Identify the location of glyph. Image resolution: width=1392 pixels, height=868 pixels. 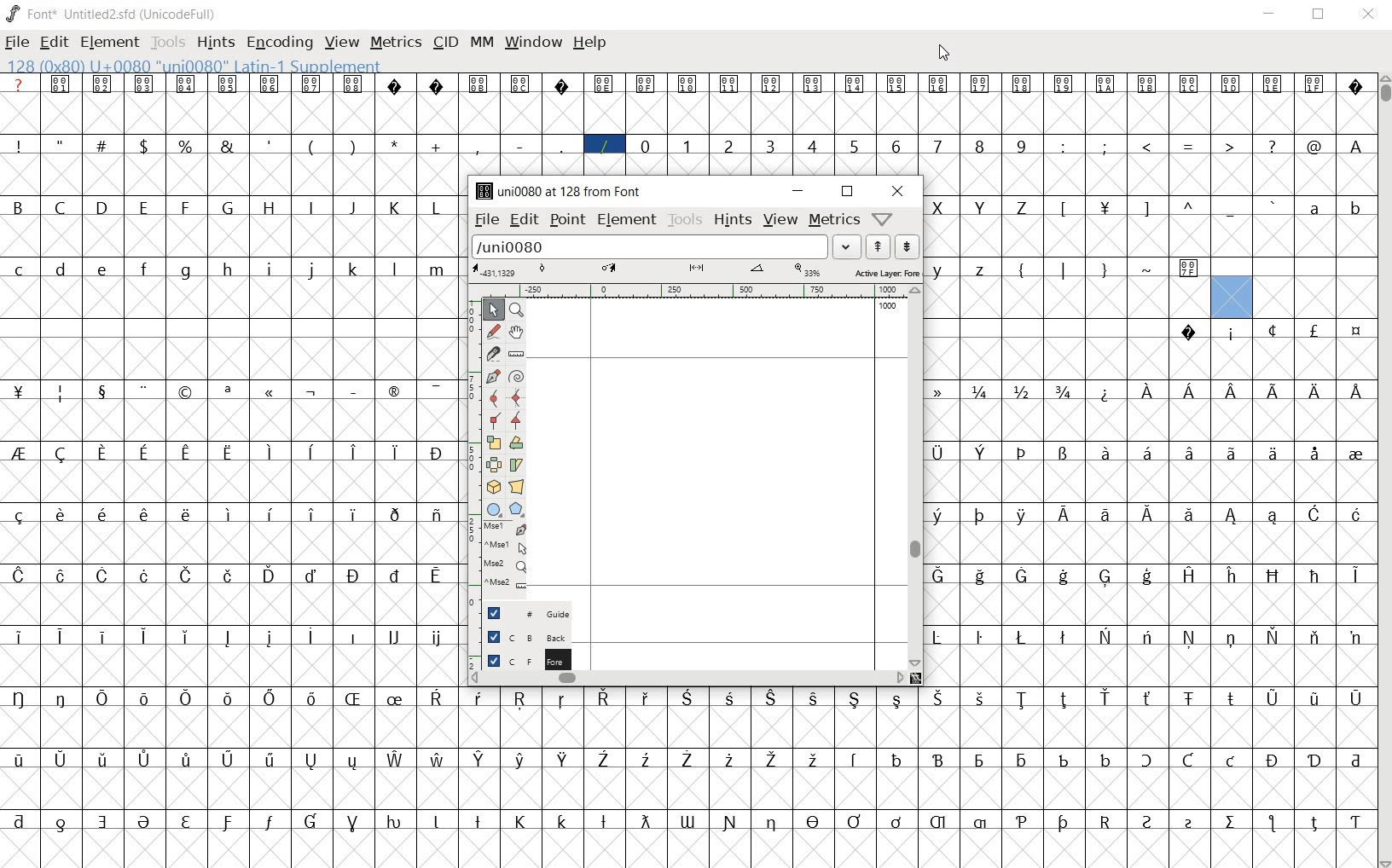
(435, 208).